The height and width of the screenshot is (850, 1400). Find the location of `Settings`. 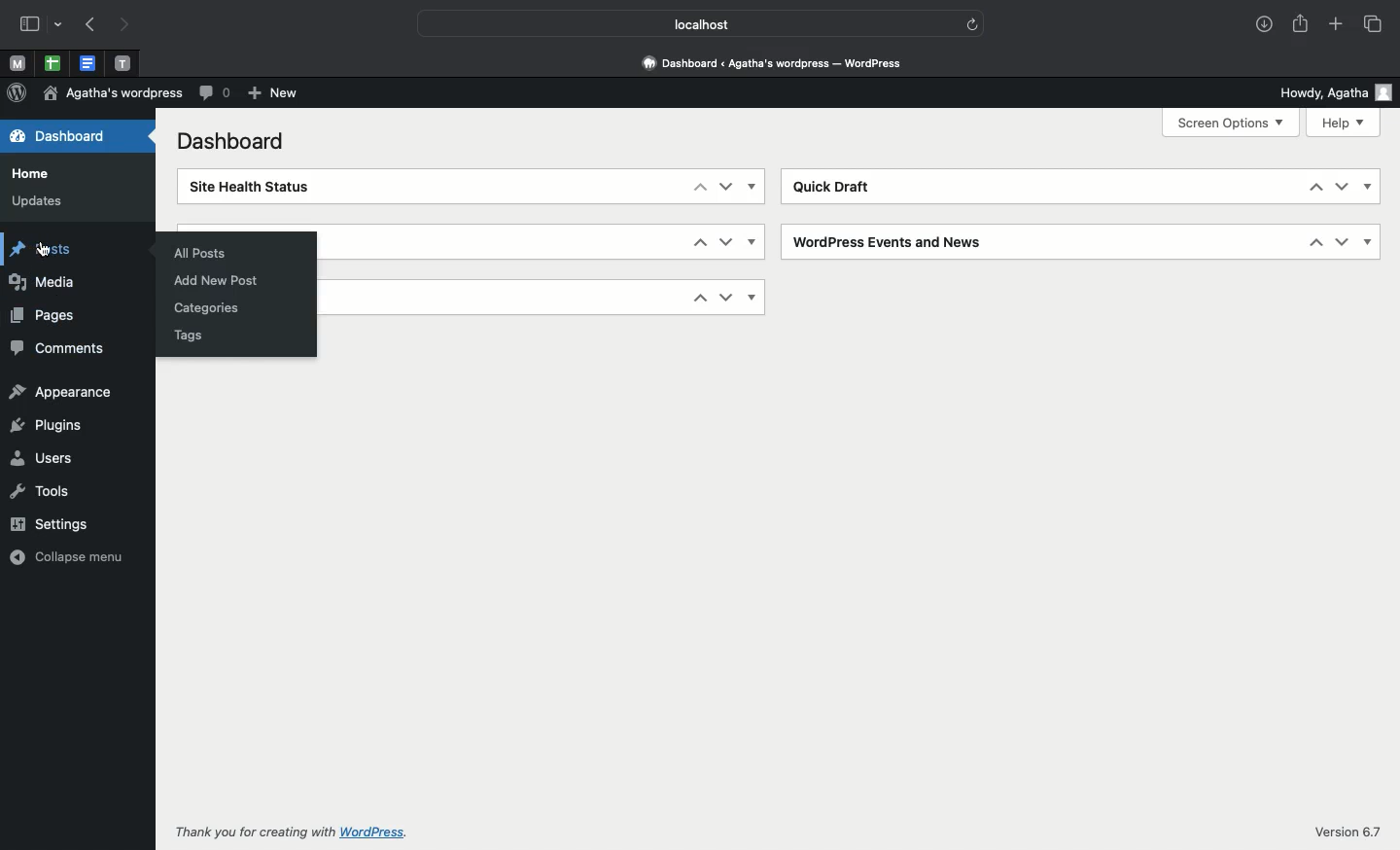

Settings is located at coordinates (54, 522).